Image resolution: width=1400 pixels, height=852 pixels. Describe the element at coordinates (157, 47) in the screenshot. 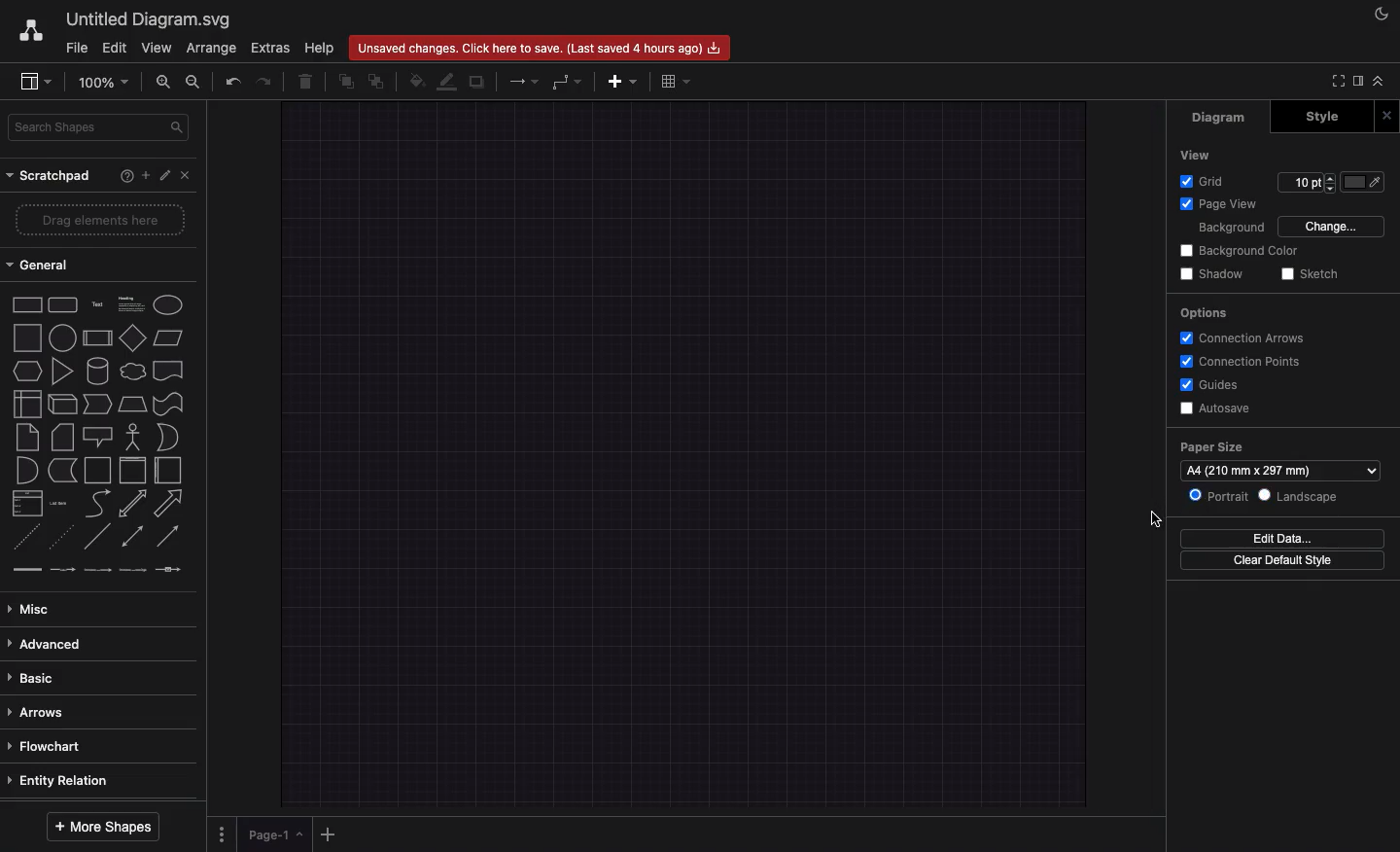

I see `View` at that location.